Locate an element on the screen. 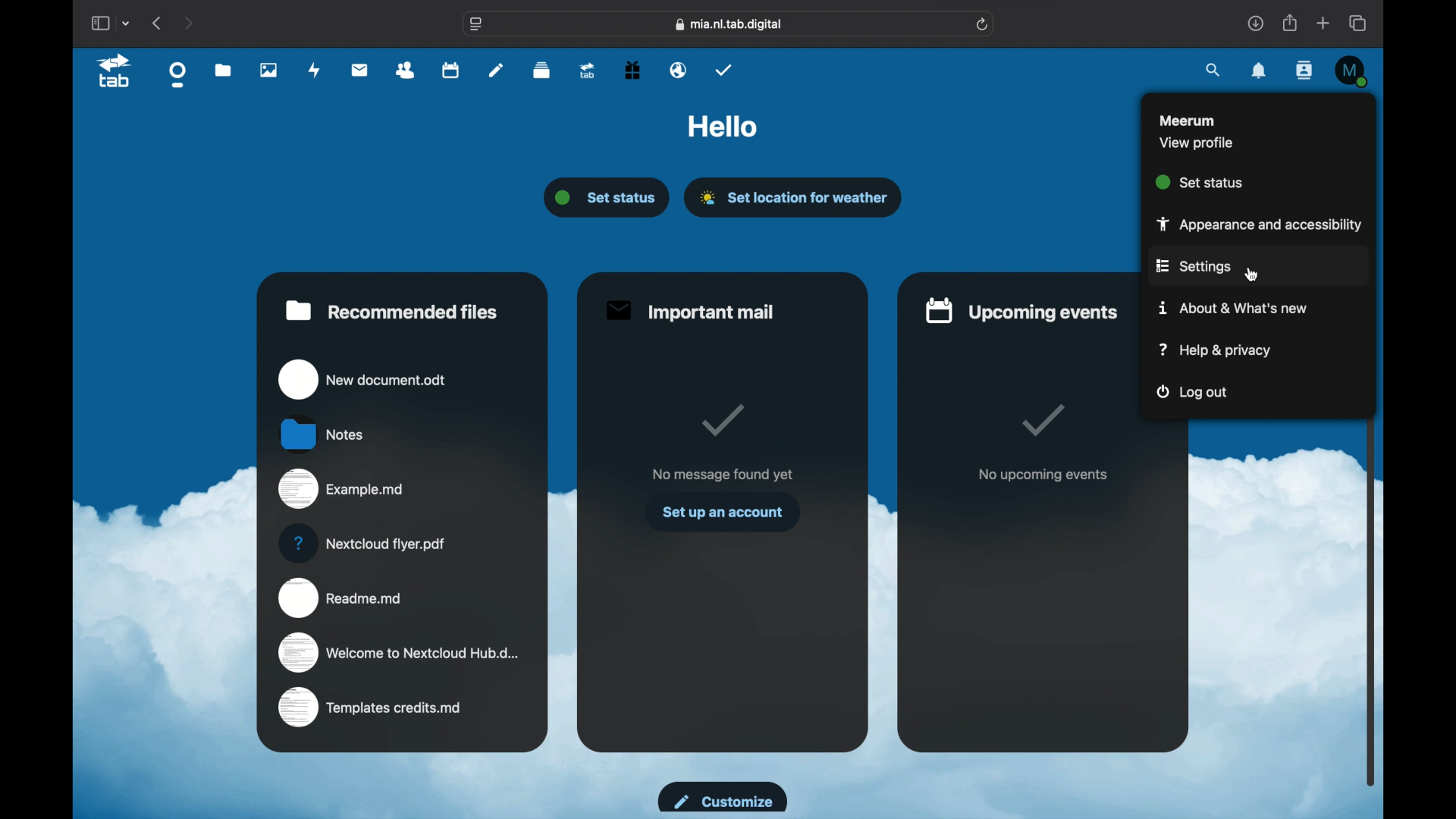  help and privacy is located at coordinates (1214, 350).